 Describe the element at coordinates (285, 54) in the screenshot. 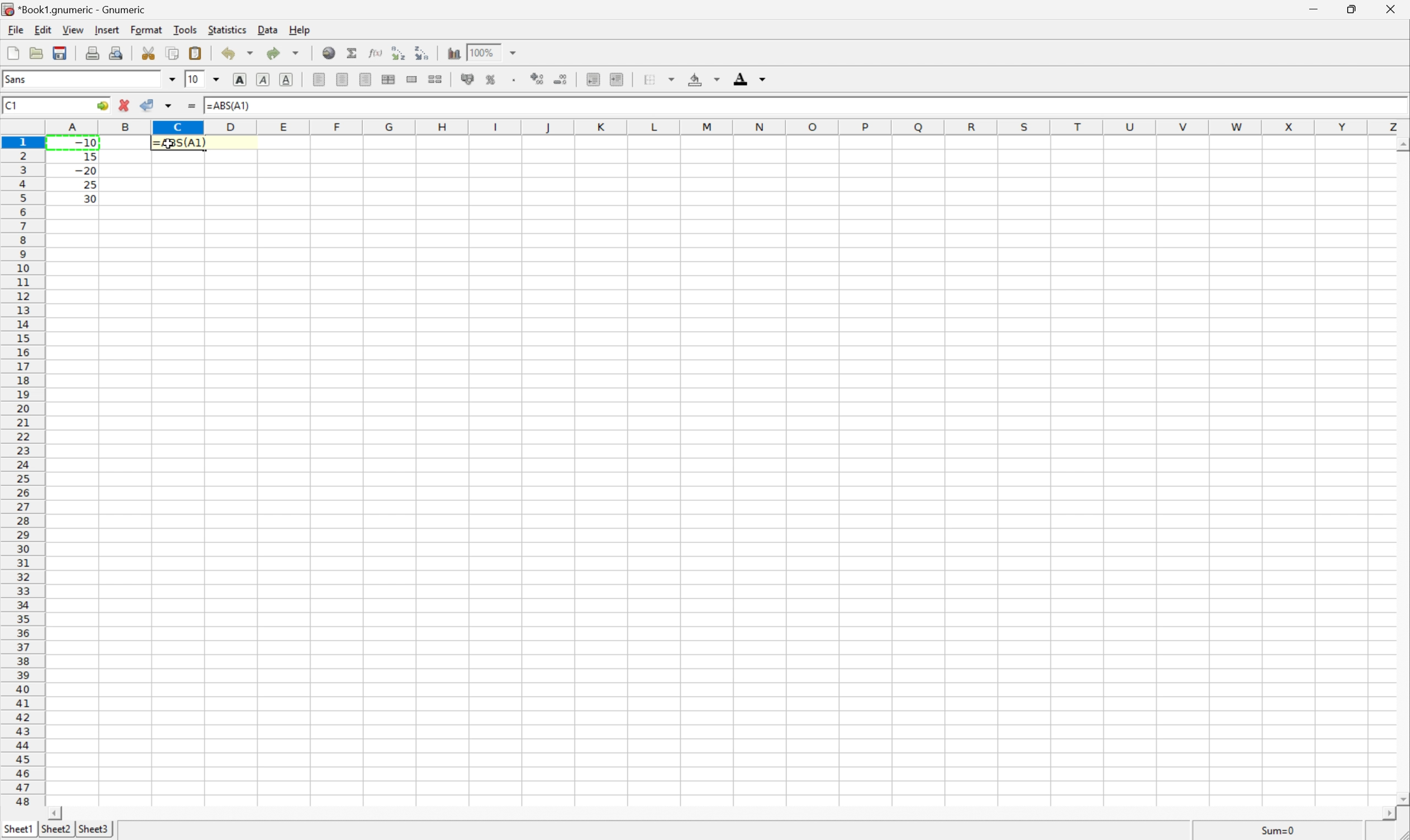

I see `Redo` at that location.